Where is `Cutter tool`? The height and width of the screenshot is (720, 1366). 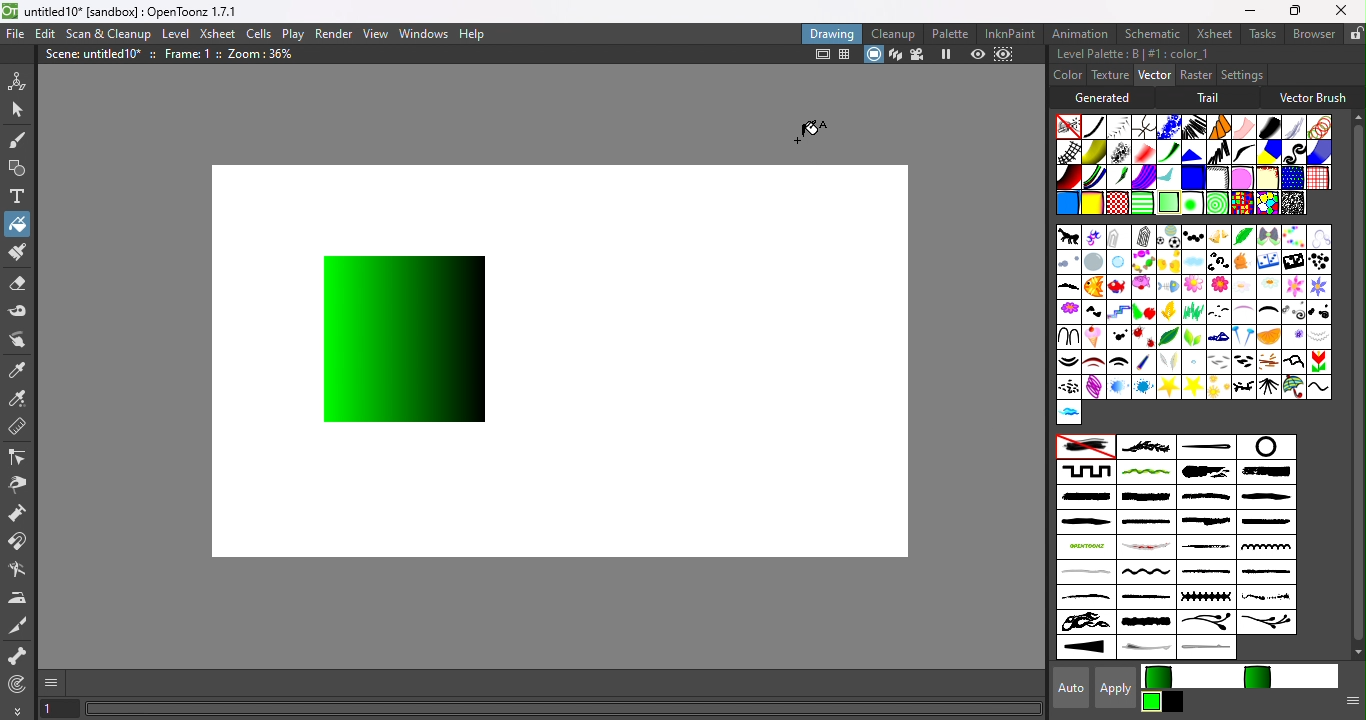 Cutter tool is located at coordinates (22, 626).